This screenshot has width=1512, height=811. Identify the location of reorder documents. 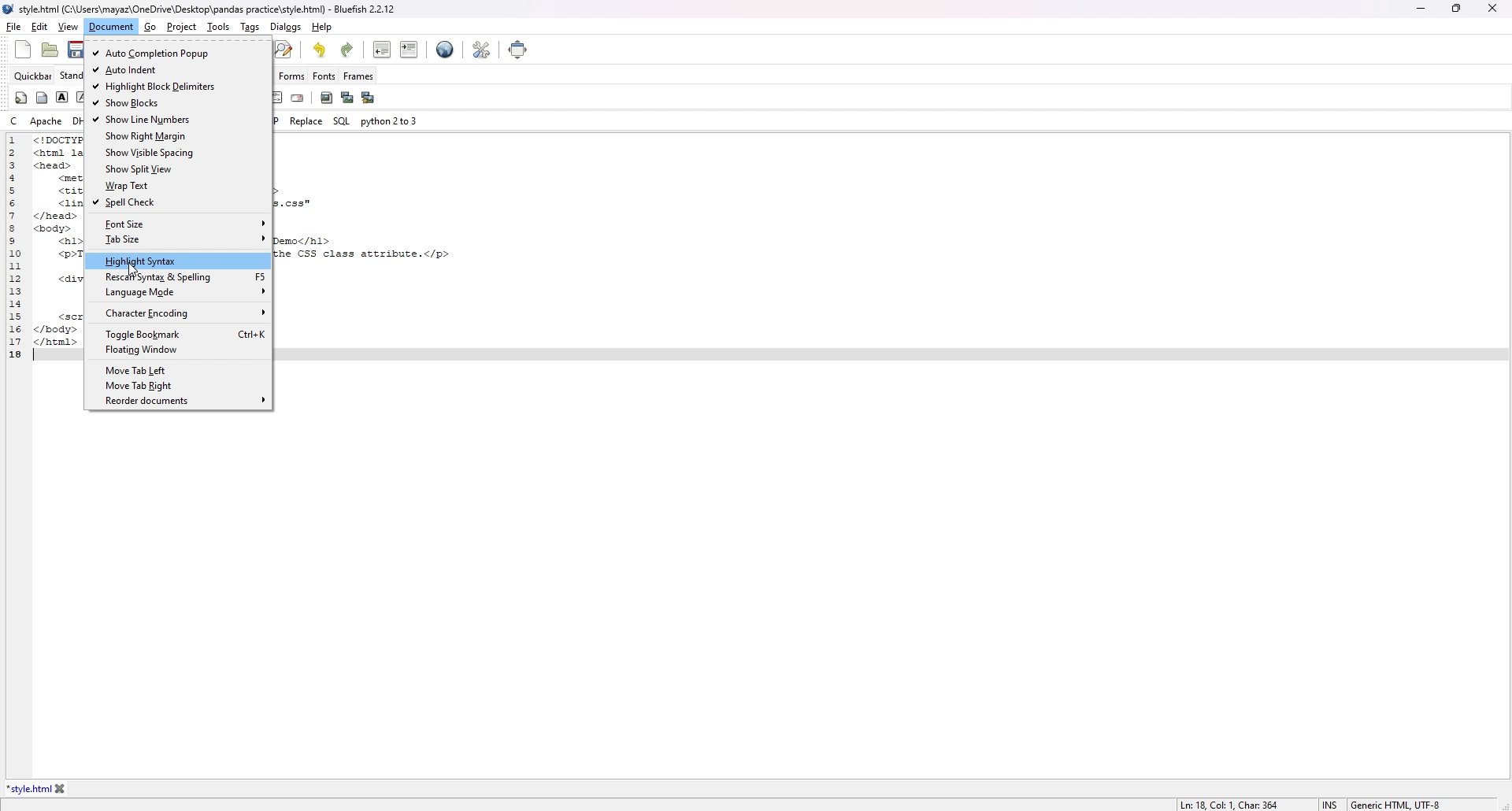
(180, 402).